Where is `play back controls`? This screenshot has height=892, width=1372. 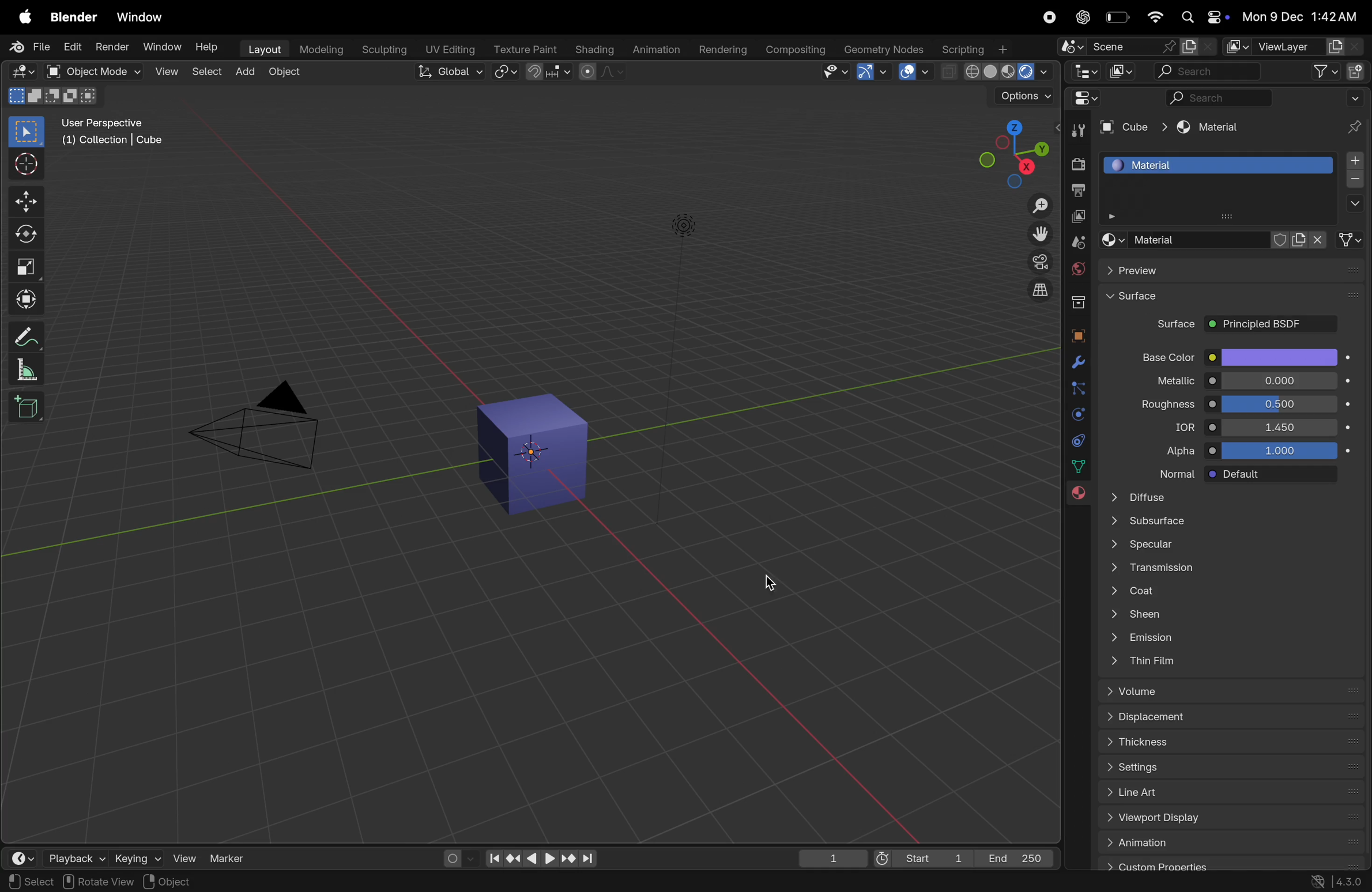
play back controls is located at coordinates (541, 860).